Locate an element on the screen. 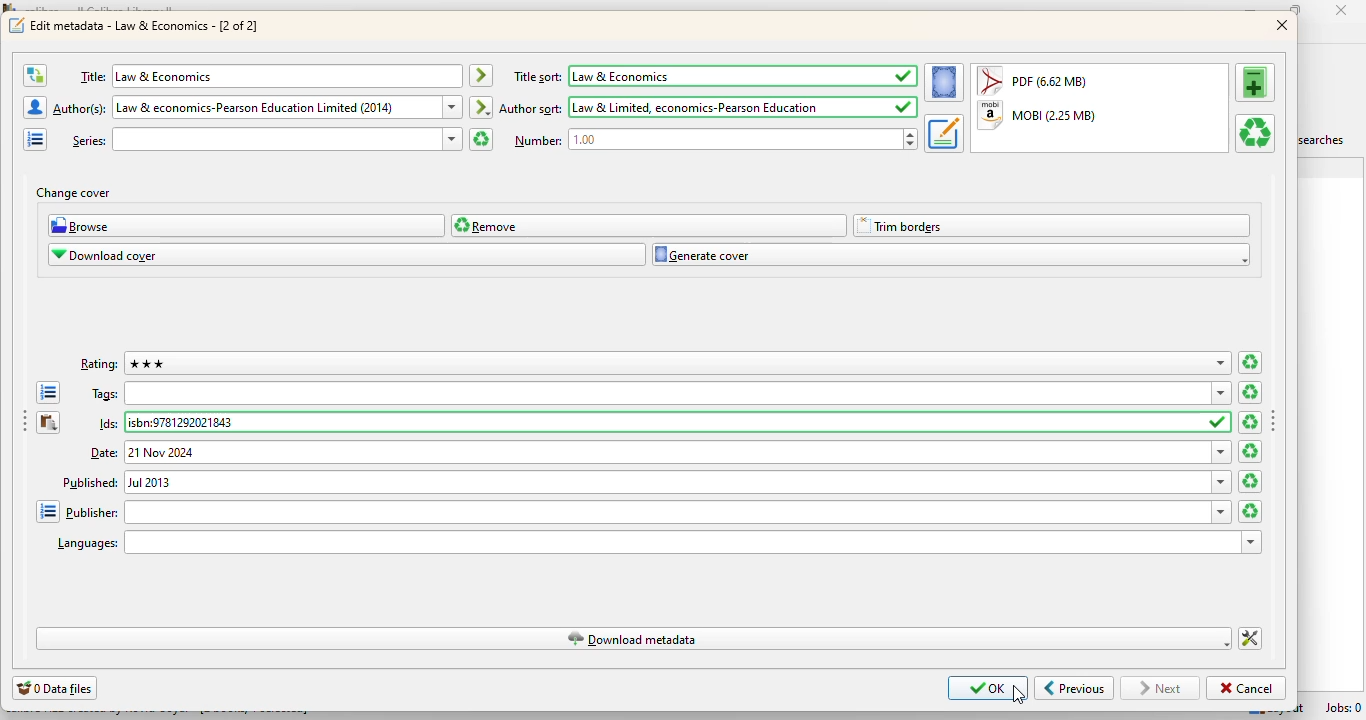  OK is located at coordinates (989, 688).